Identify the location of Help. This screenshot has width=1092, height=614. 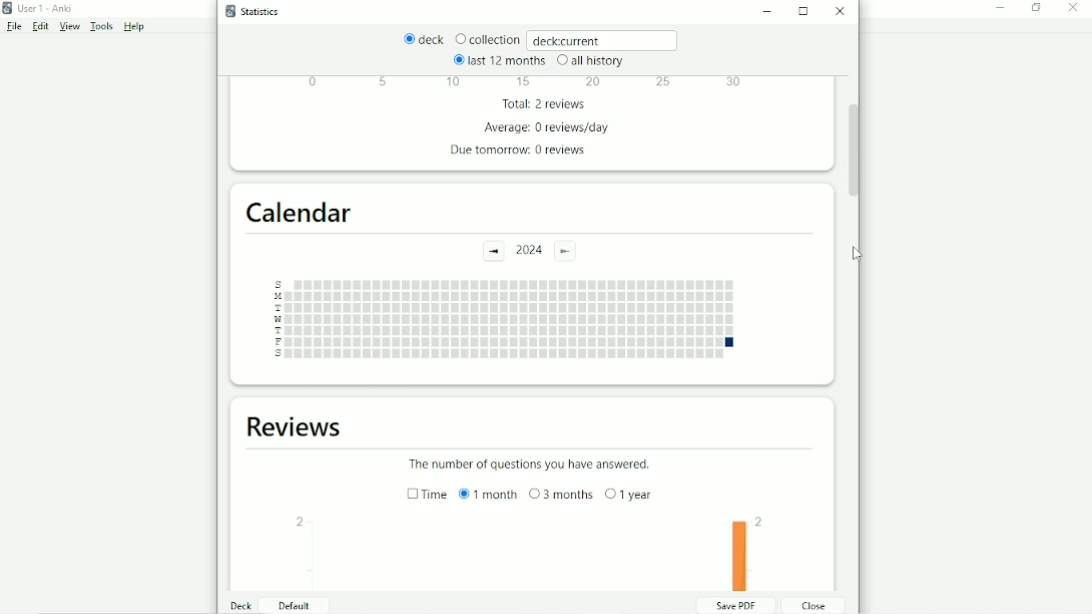
(135, 27).